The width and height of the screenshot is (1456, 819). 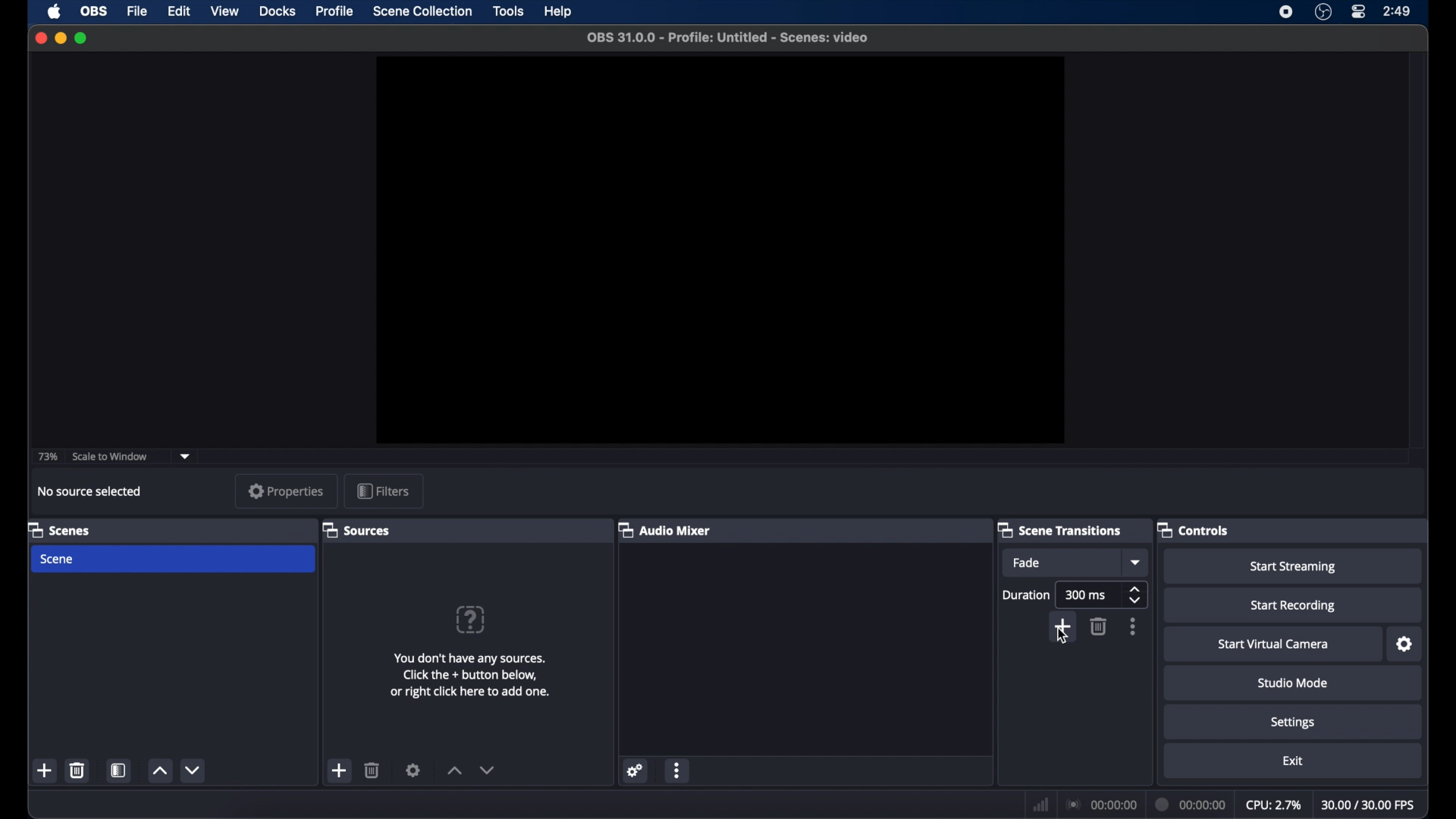 What do you see at coordinates (91, 491) in the screenshot?
I see `no source selected` at bounding box center [91, 491].